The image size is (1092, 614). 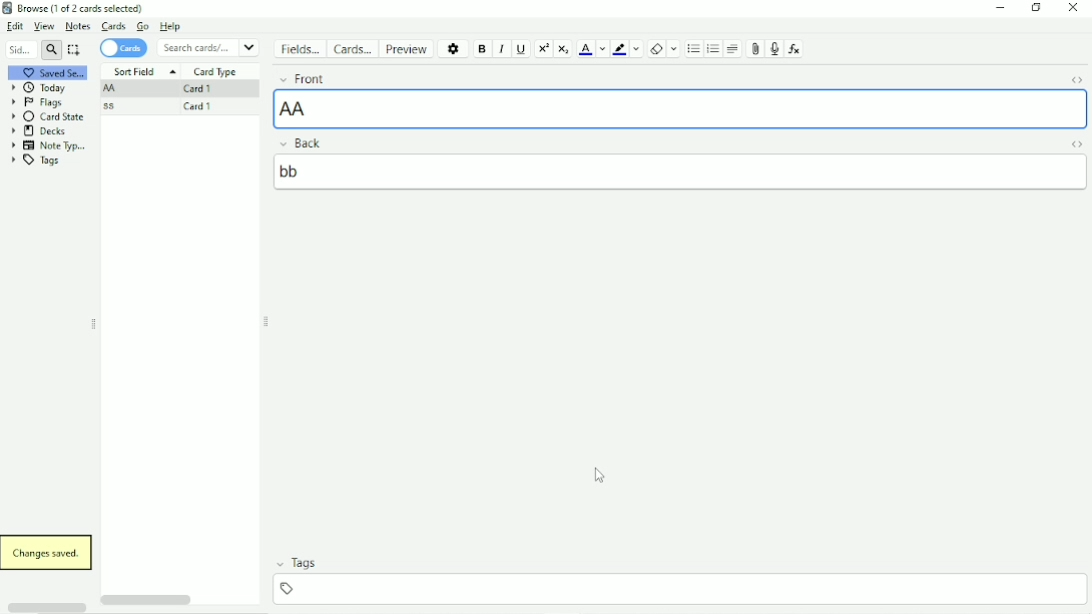 I want to click on bb, so click(x=682, y=173).